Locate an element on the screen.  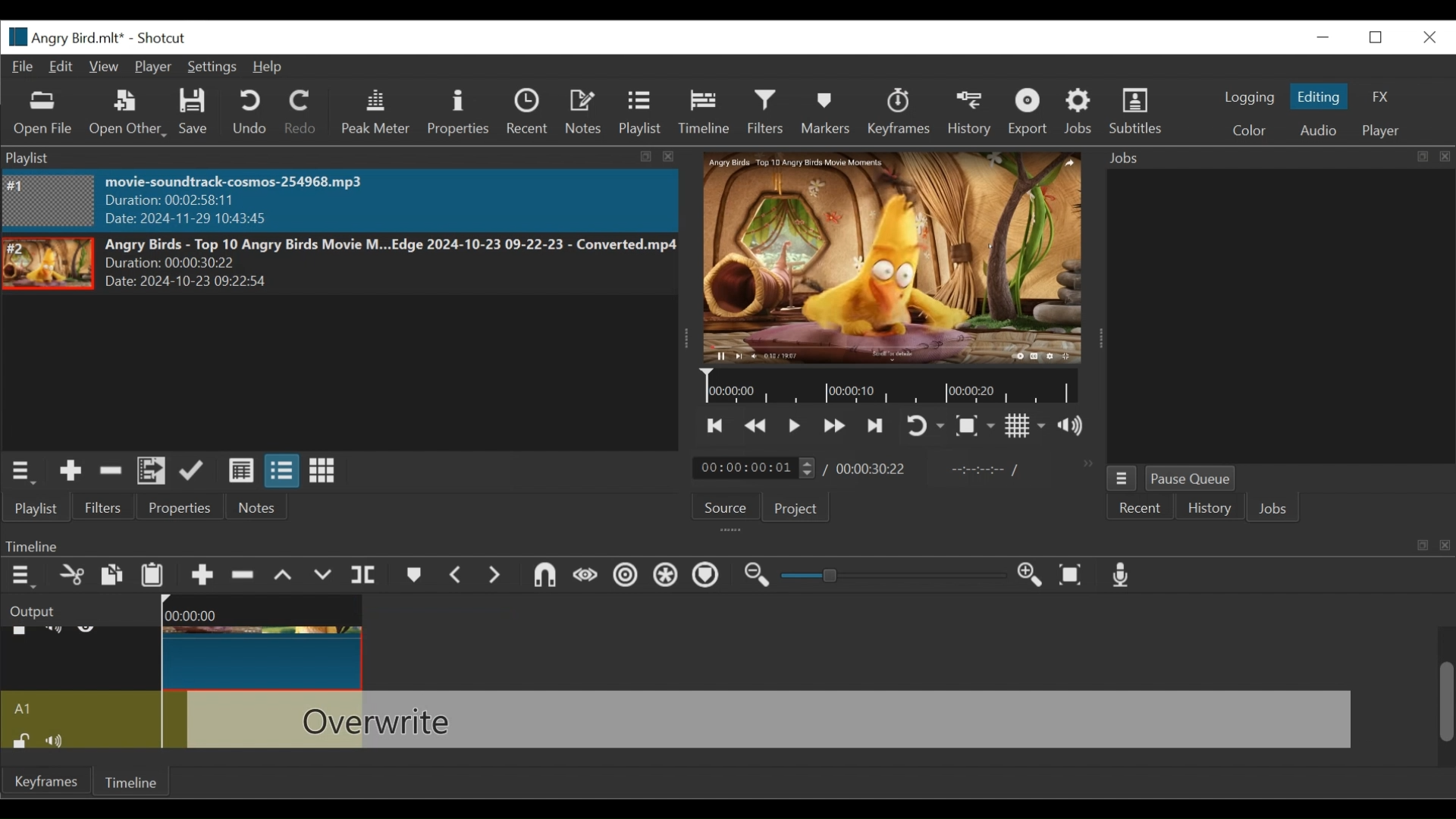
Playlist is located at coordinates (640, 114).